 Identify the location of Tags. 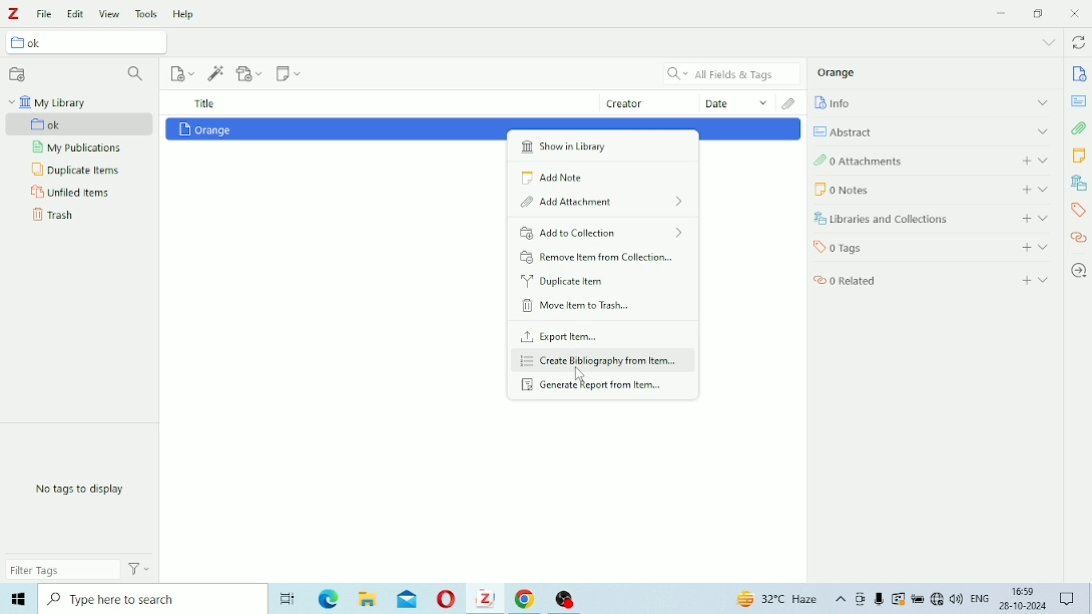
(1079, 211).